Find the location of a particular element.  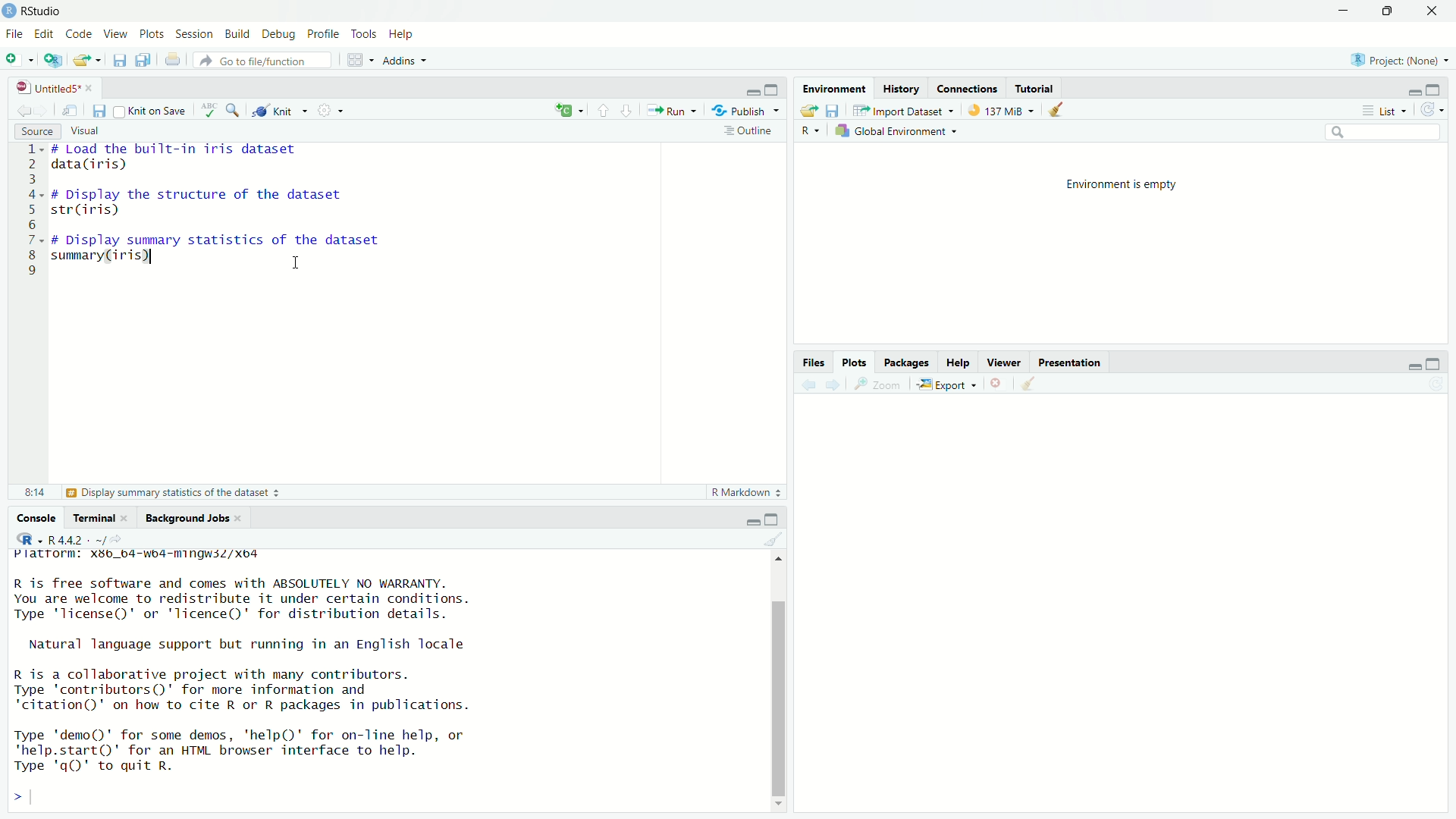

View is located at coordinates (115, 33).